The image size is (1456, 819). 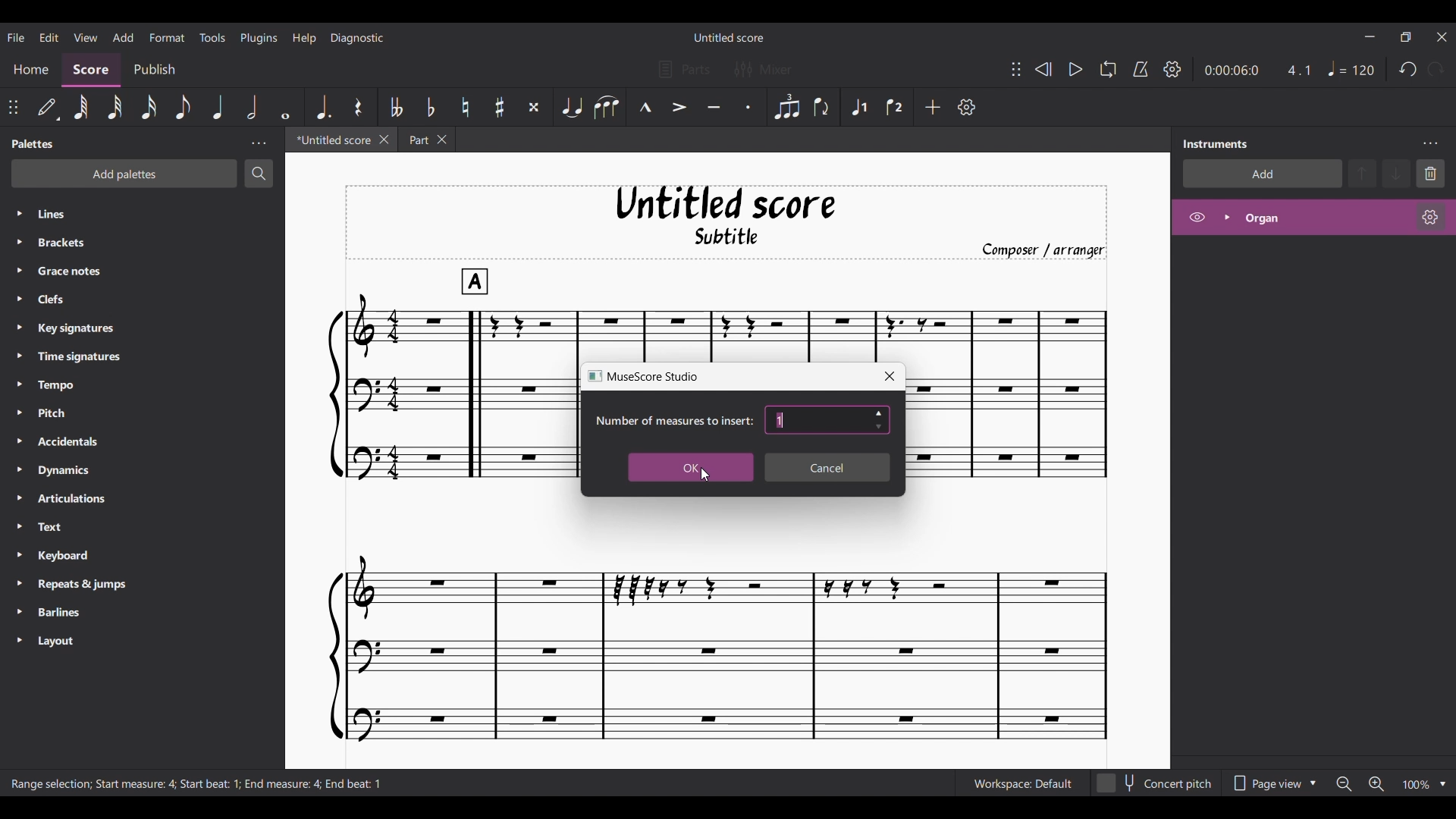 What do you see at coordinates (690, 468) in the screenshot?
I see `Save input made` at bounding box center [690, 468].